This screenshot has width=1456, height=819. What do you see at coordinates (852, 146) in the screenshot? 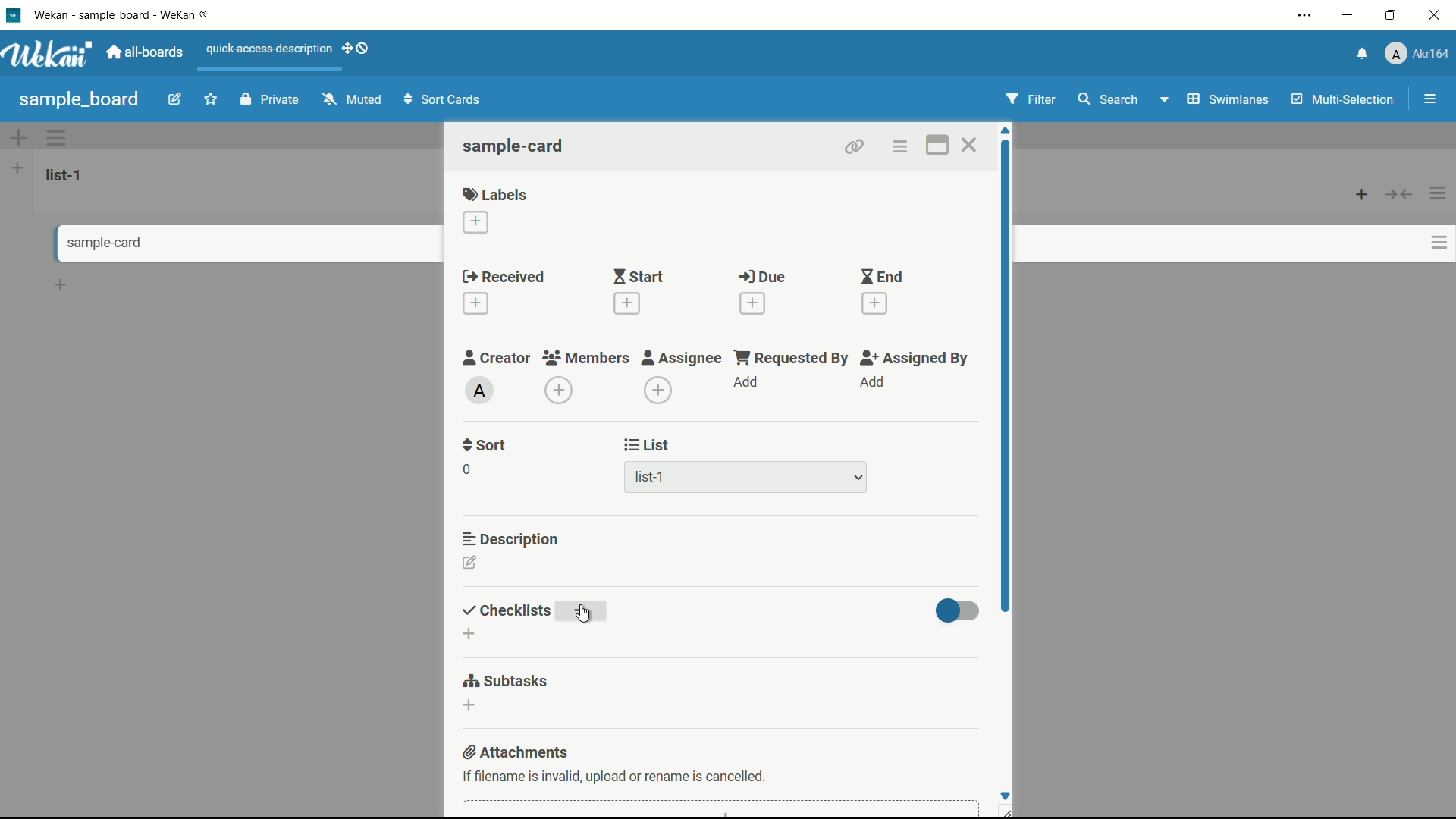
I see `copy link to clipboard` at bounding box center [852, 146].